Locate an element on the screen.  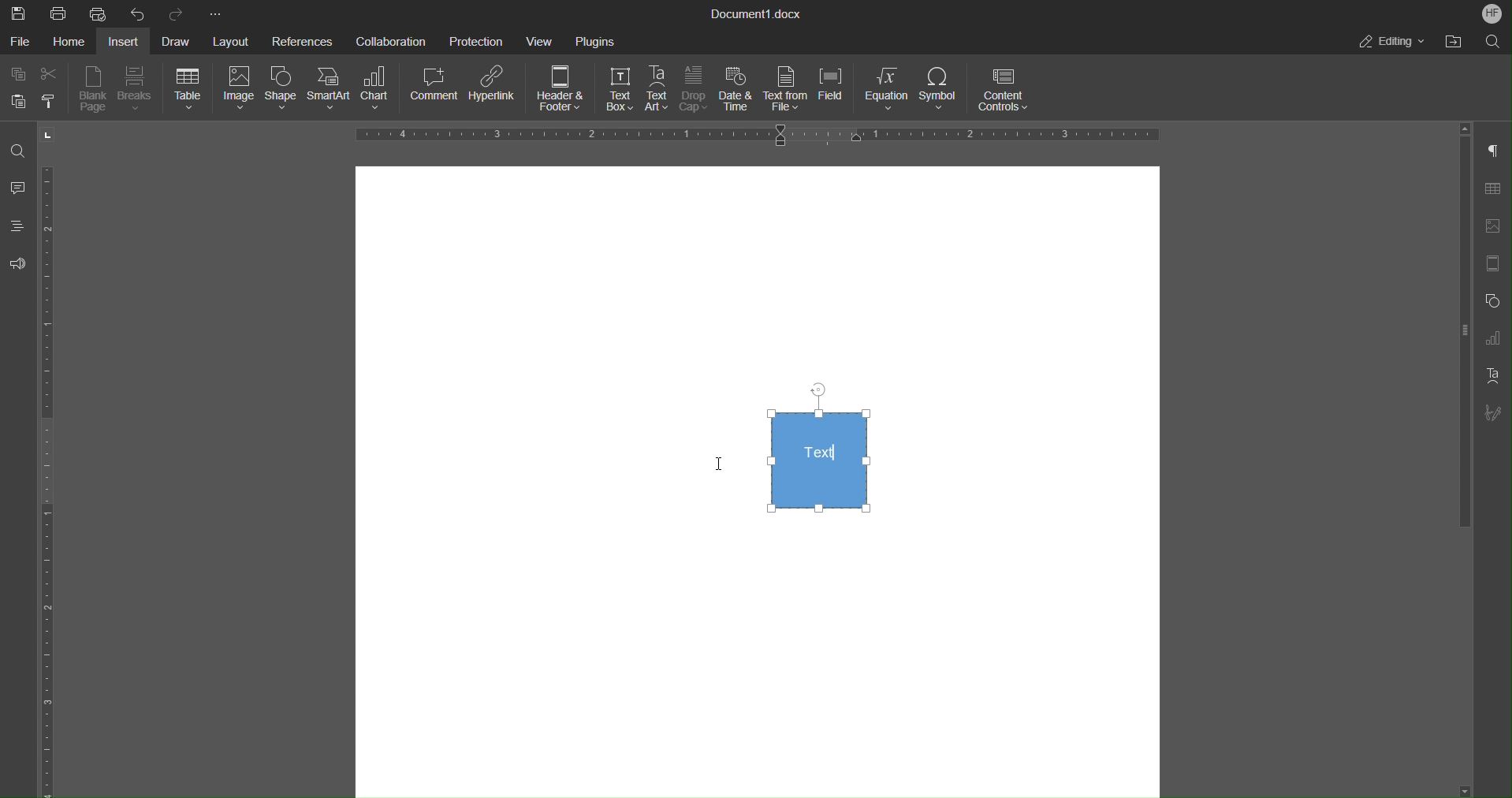
Quick Print is located at coordinates (99, 13).